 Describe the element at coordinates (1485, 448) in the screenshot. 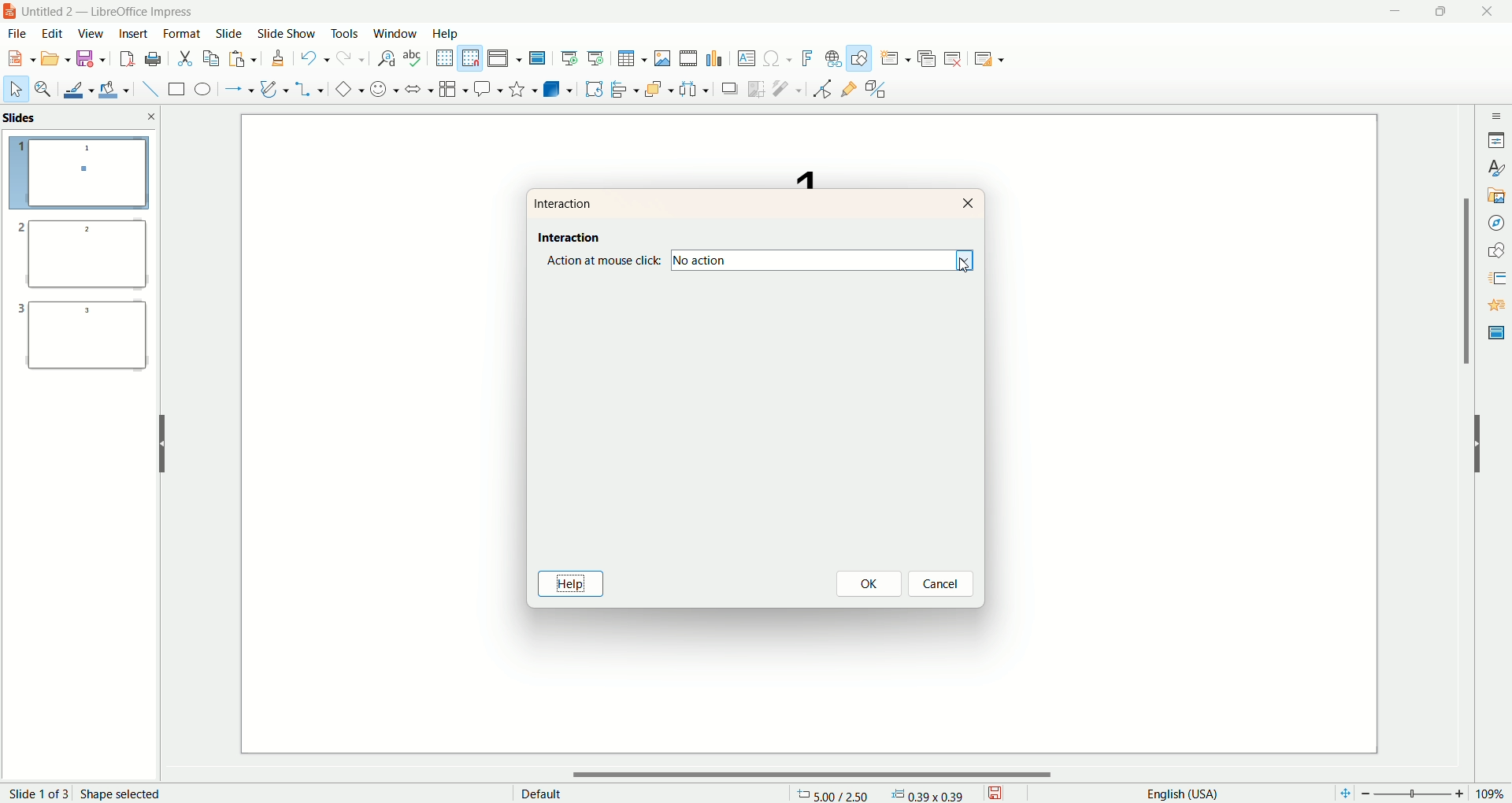

I see `hide` at that location.